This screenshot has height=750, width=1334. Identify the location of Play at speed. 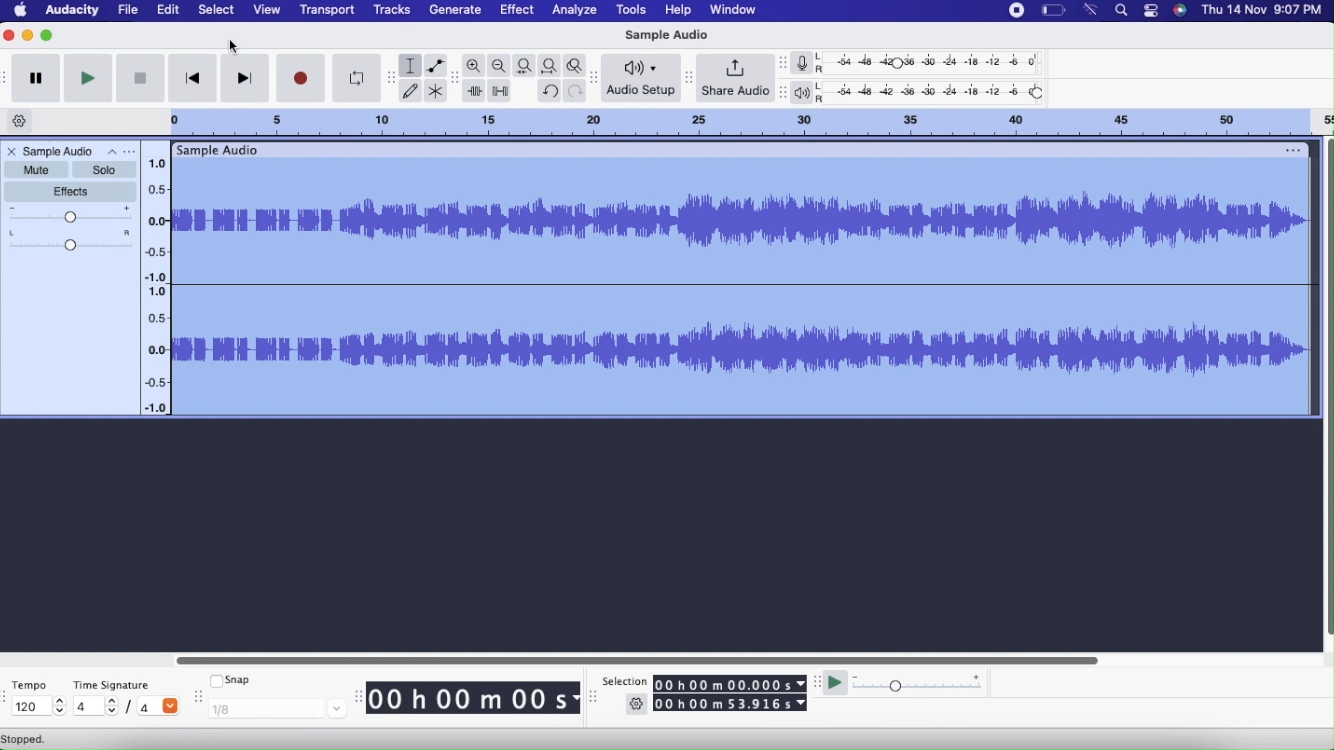
(836, 684).